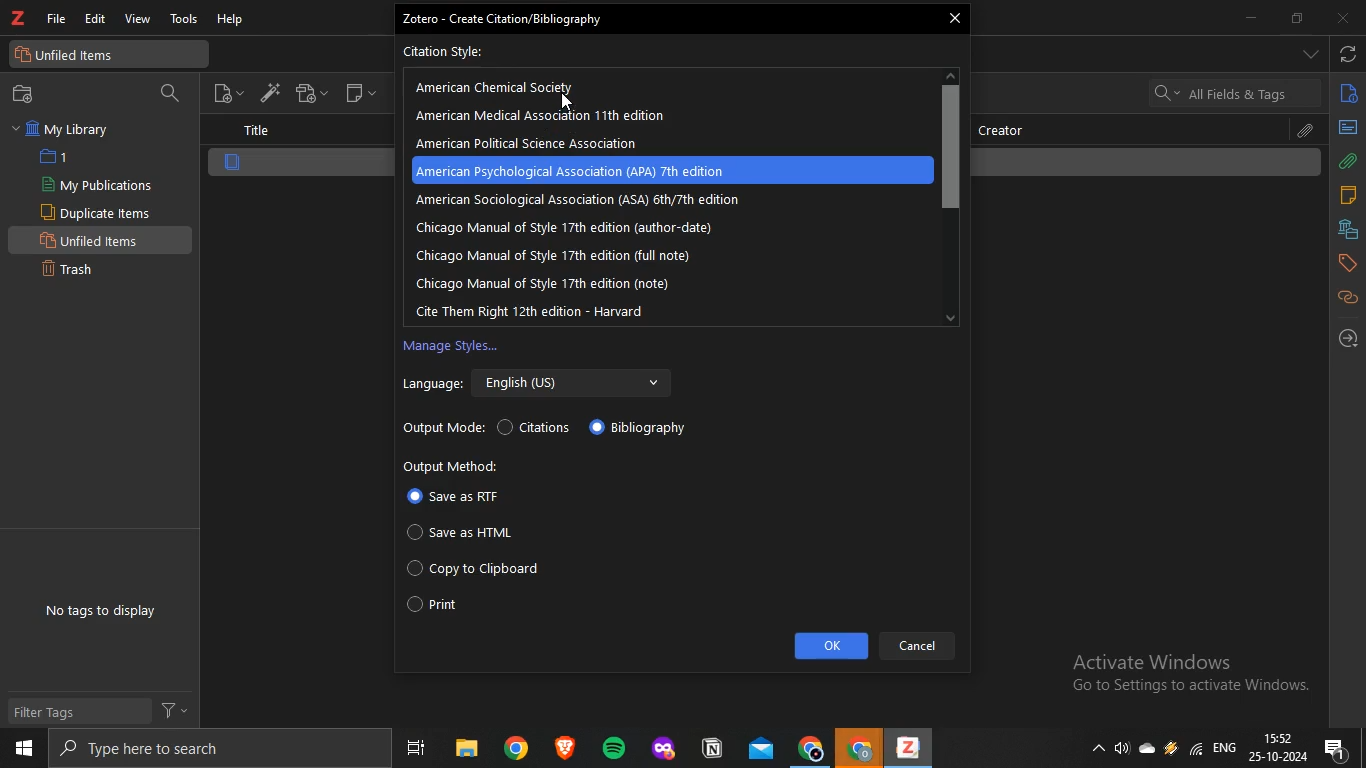  Describe the element at coordinates (1297, 20) in the screenshot. I see `restore down` at that location.